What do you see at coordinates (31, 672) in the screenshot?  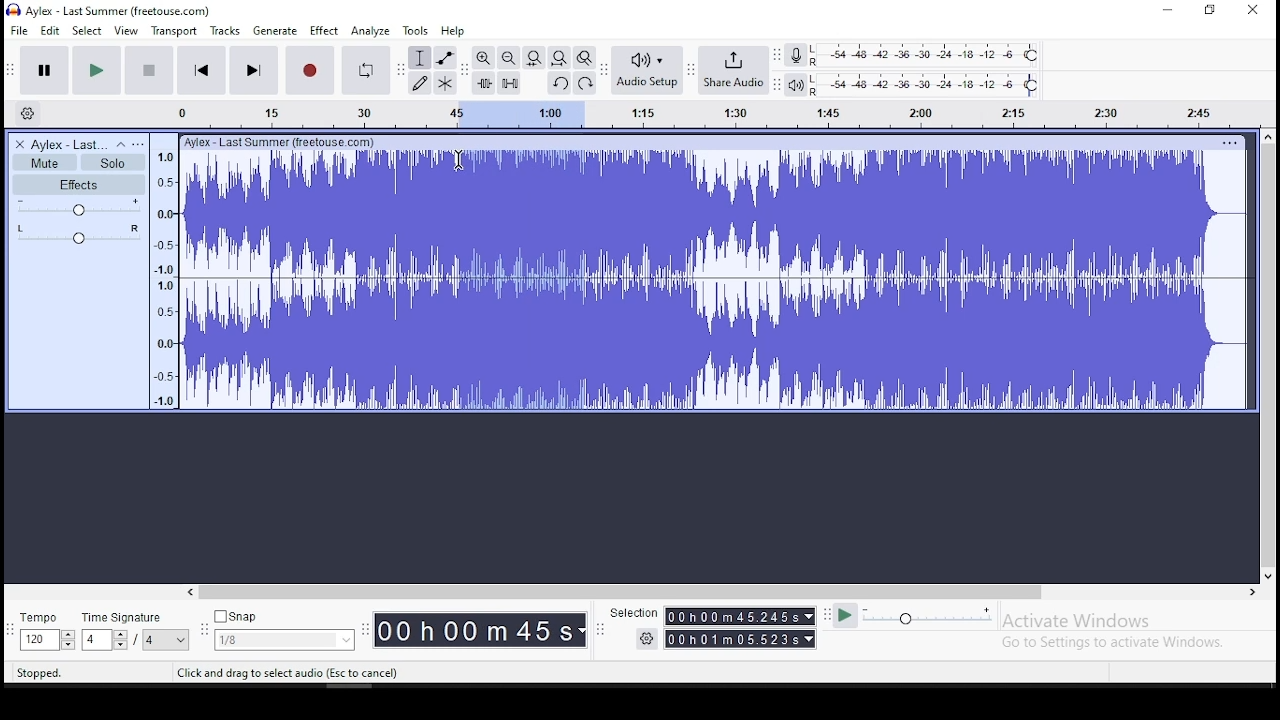 I see `| Stopped.` at bounding box center [31, 672].